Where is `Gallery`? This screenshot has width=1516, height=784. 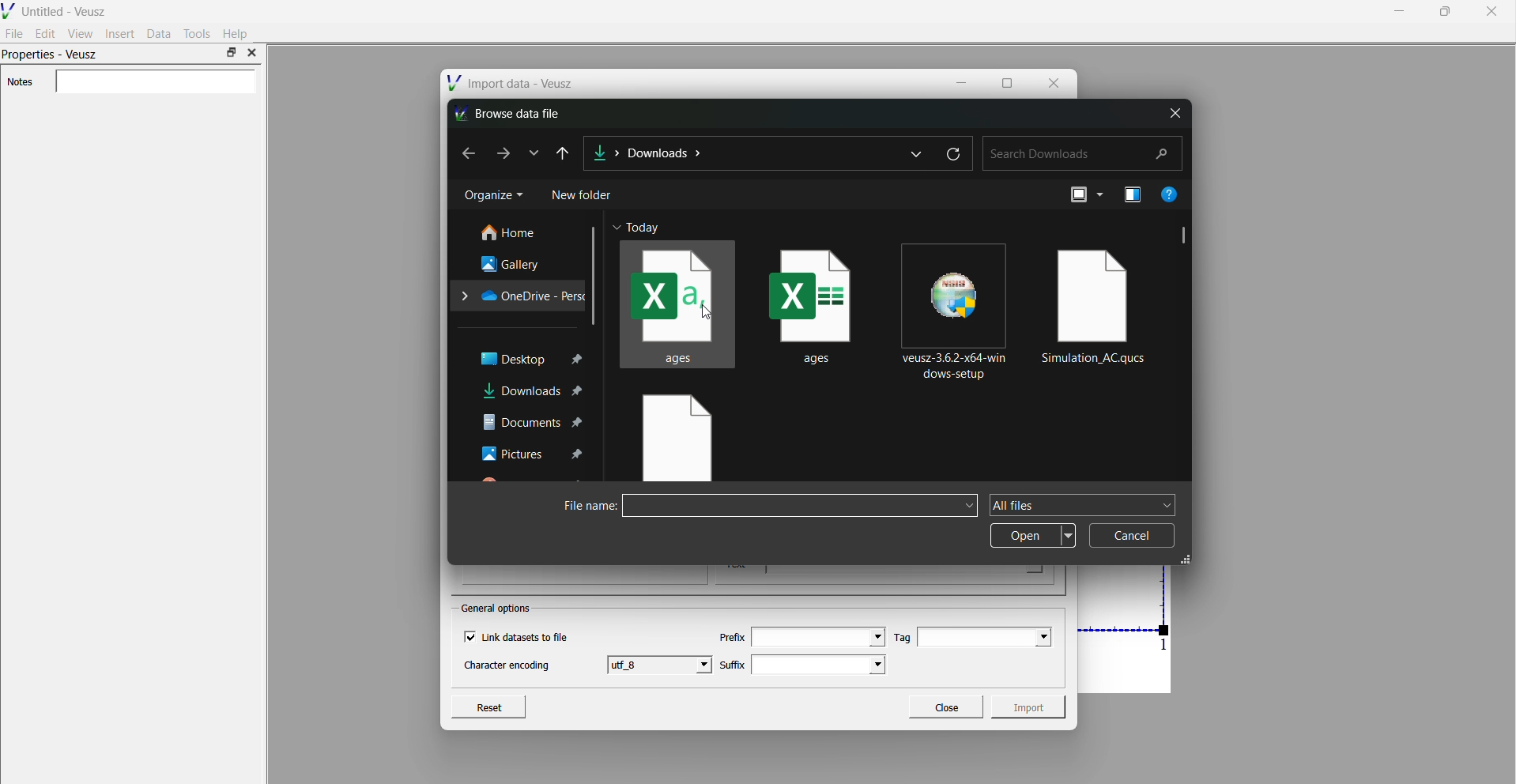
Gallery is located at coordinates (514, 263).